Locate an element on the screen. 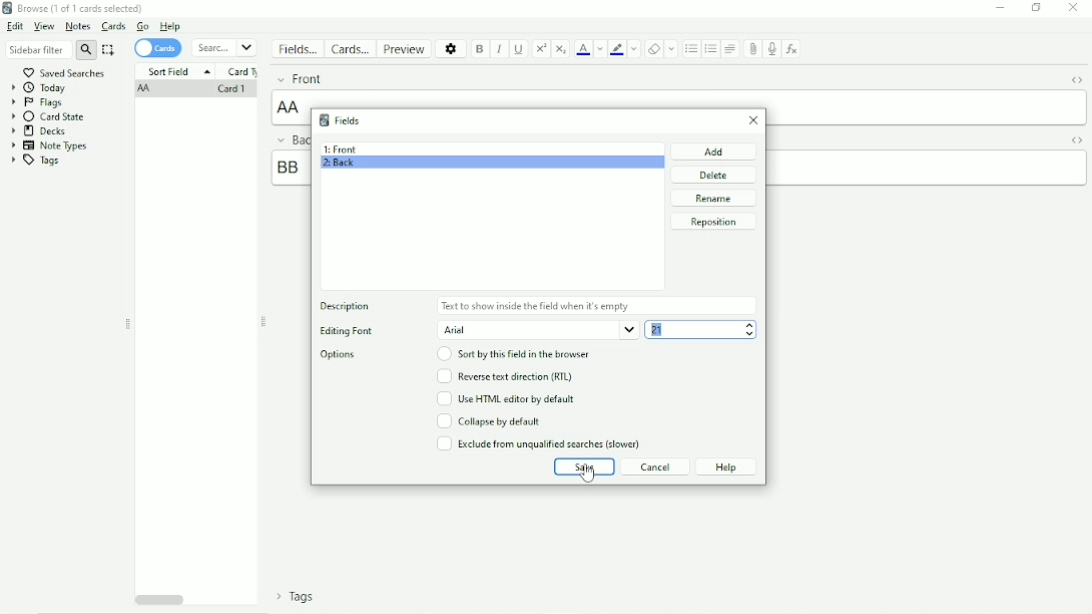 This screenshot has width=1092, height=614. BB is located at coordinates (288, 167).